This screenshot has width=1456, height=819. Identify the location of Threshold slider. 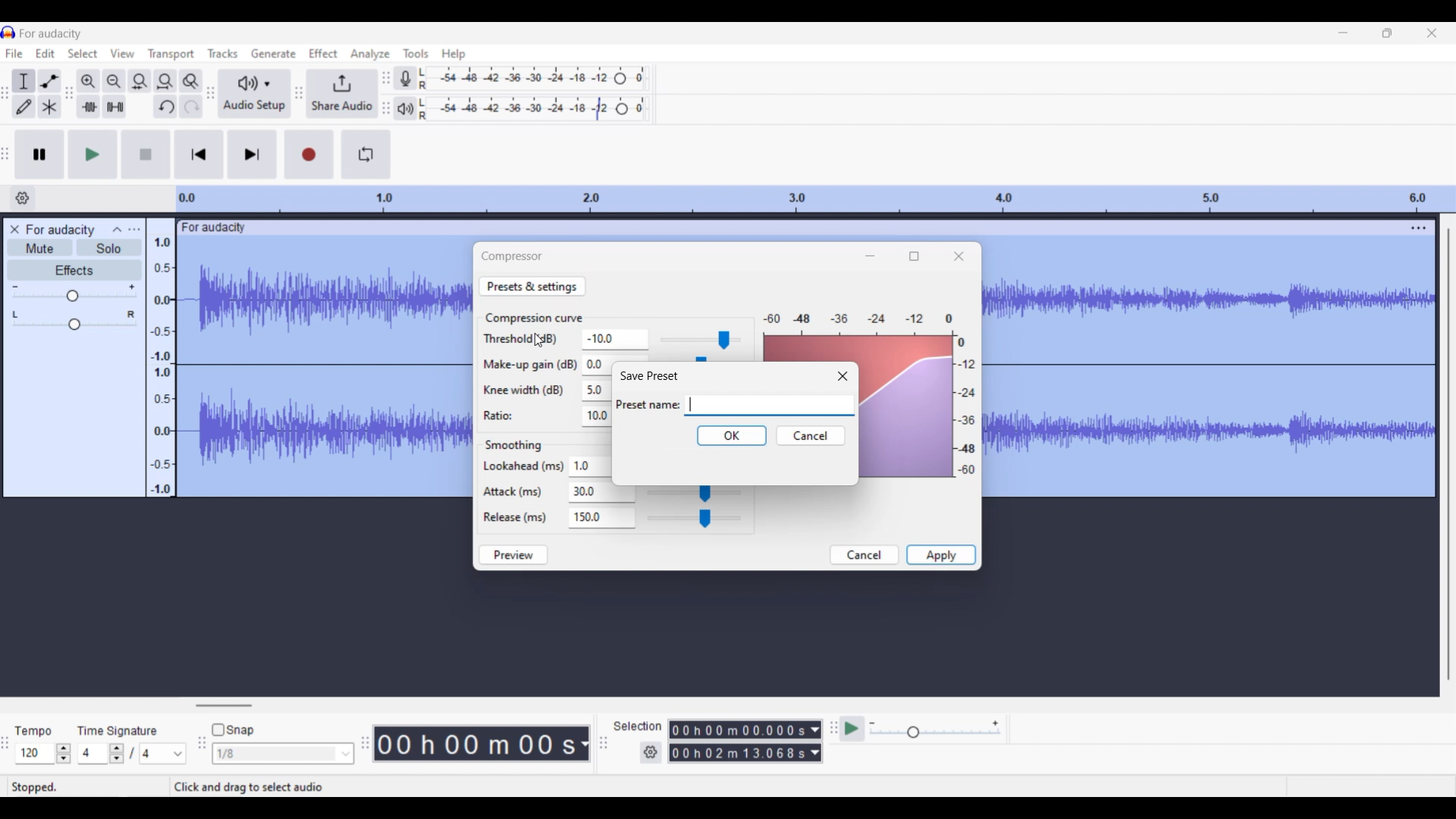
(714, 340).